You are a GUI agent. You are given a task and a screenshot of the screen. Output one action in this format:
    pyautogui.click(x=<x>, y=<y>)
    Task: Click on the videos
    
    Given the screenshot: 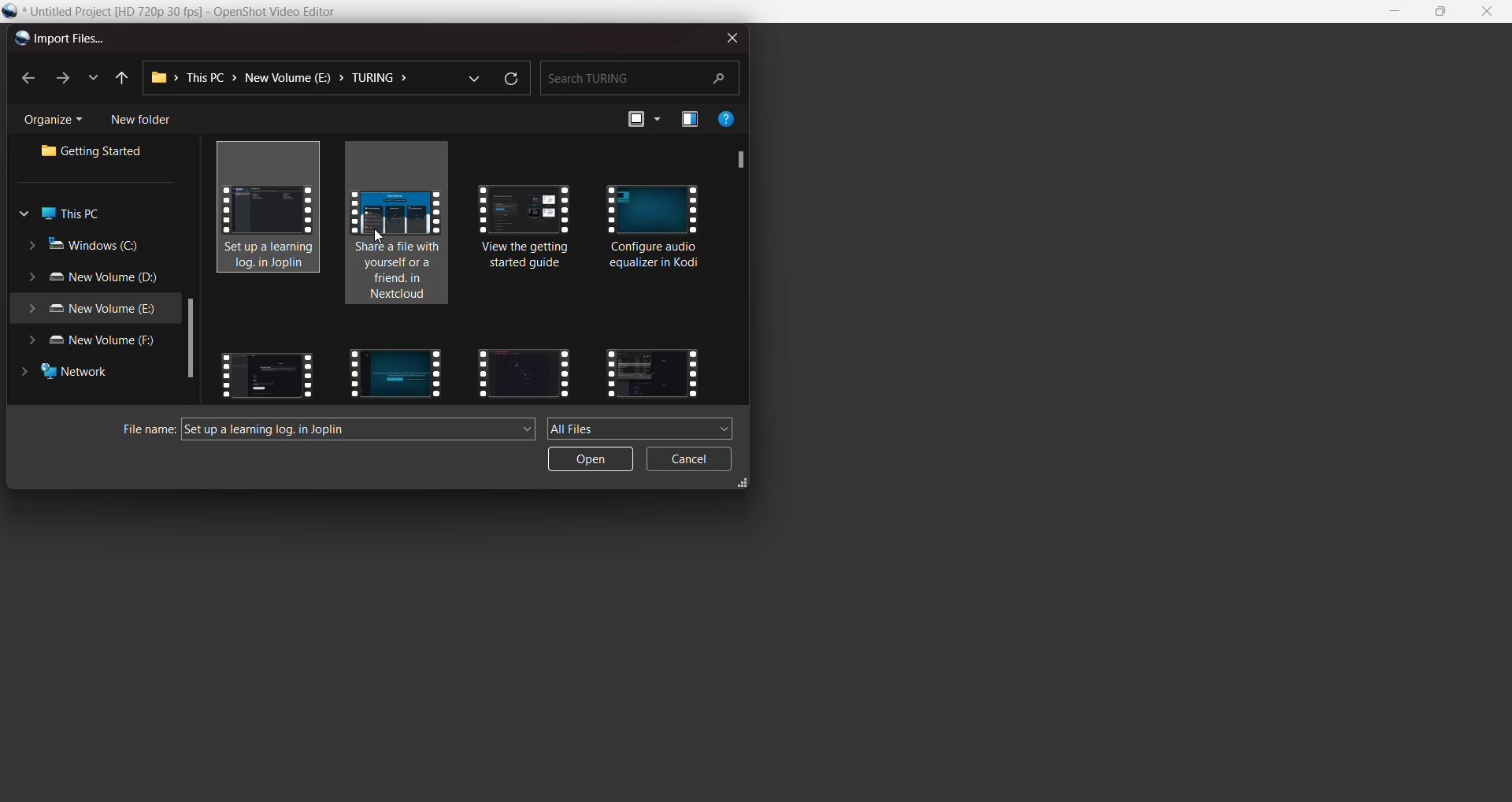 What is the action you would take?
    pyautogui.click(x=652, y=371)
    